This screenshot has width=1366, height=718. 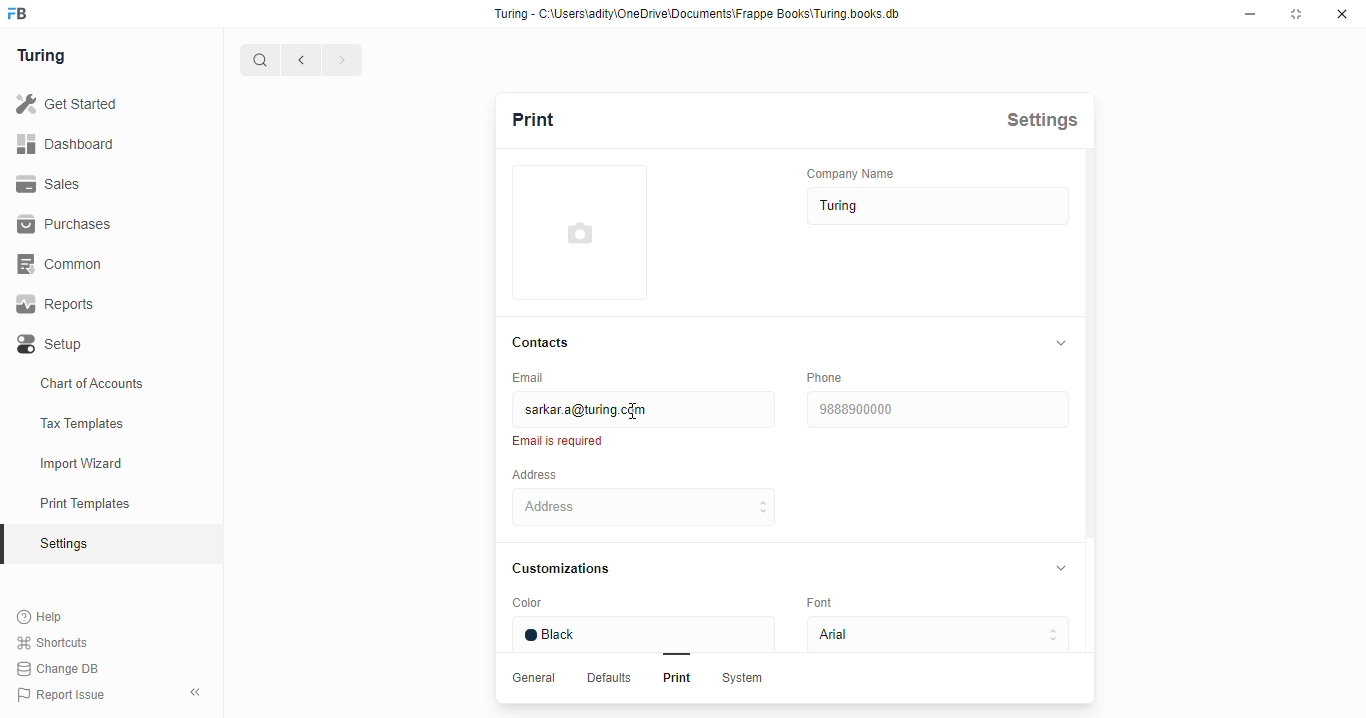 I want to click on Print Templates, so click(x=106, y=503).